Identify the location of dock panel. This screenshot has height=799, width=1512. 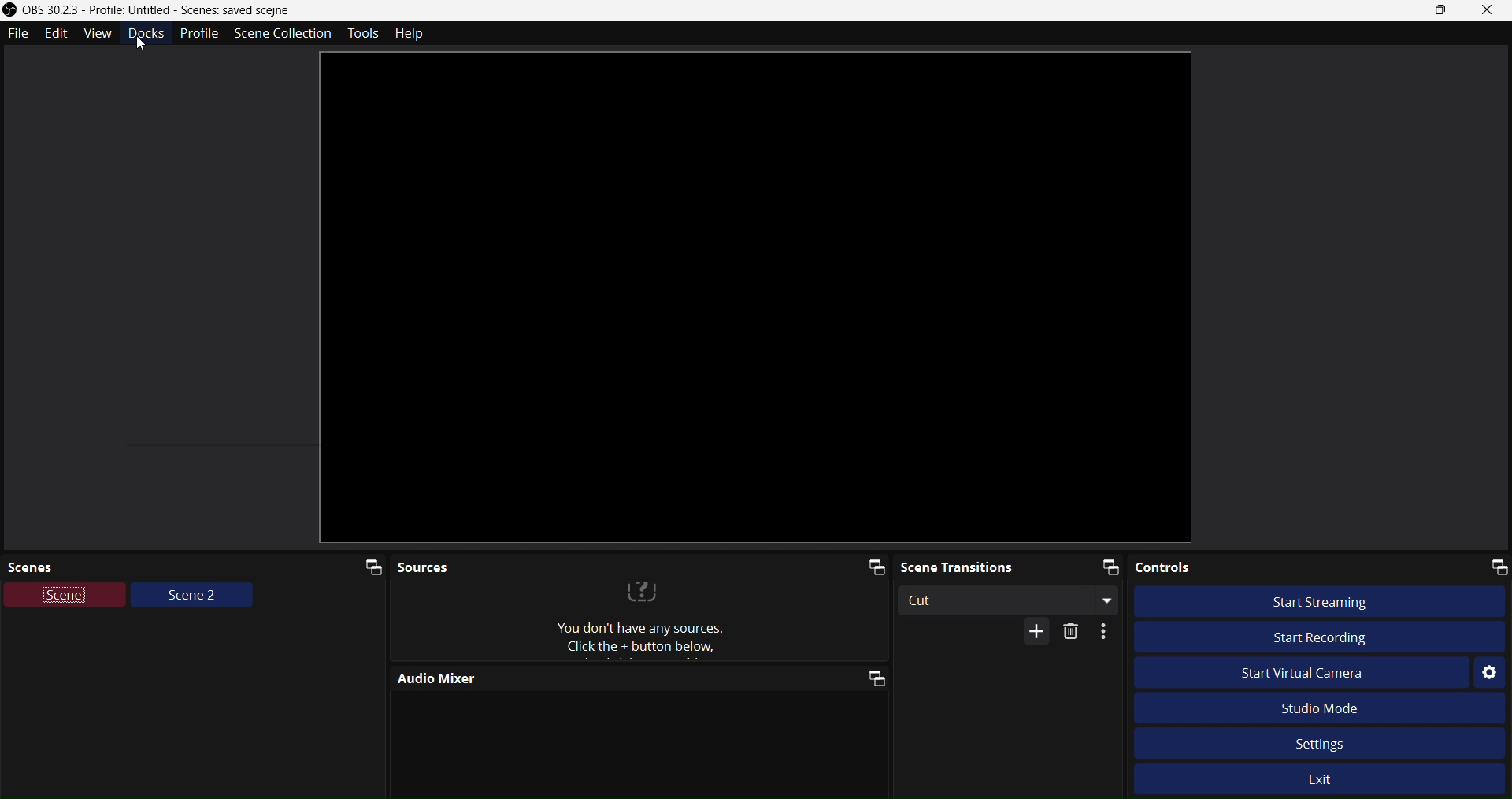
(873, 678).